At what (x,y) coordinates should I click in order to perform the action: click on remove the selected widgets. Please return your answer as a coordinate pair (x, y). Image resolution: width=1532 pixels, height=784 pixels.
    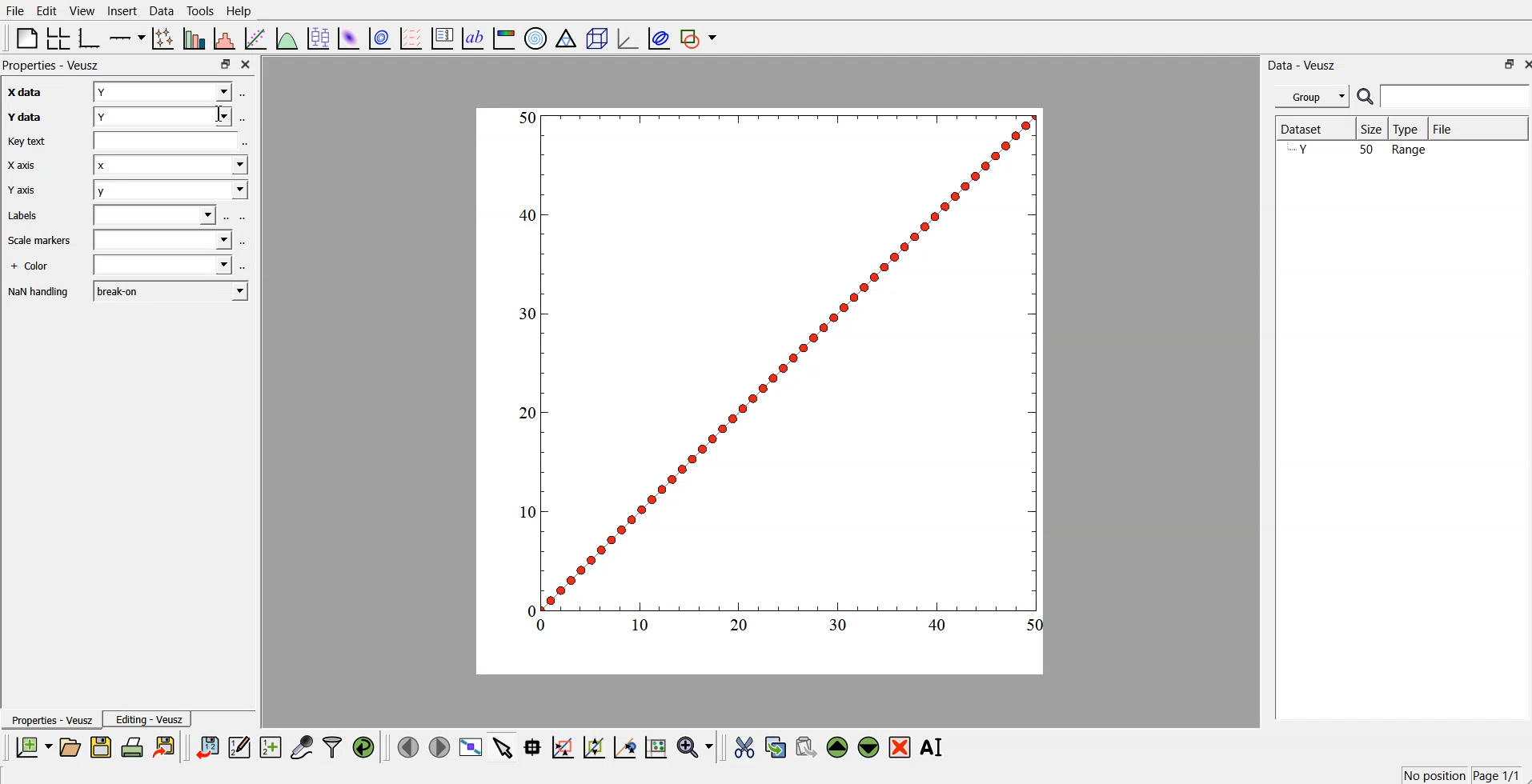
    Looking at the image, I should click on (900, 748).